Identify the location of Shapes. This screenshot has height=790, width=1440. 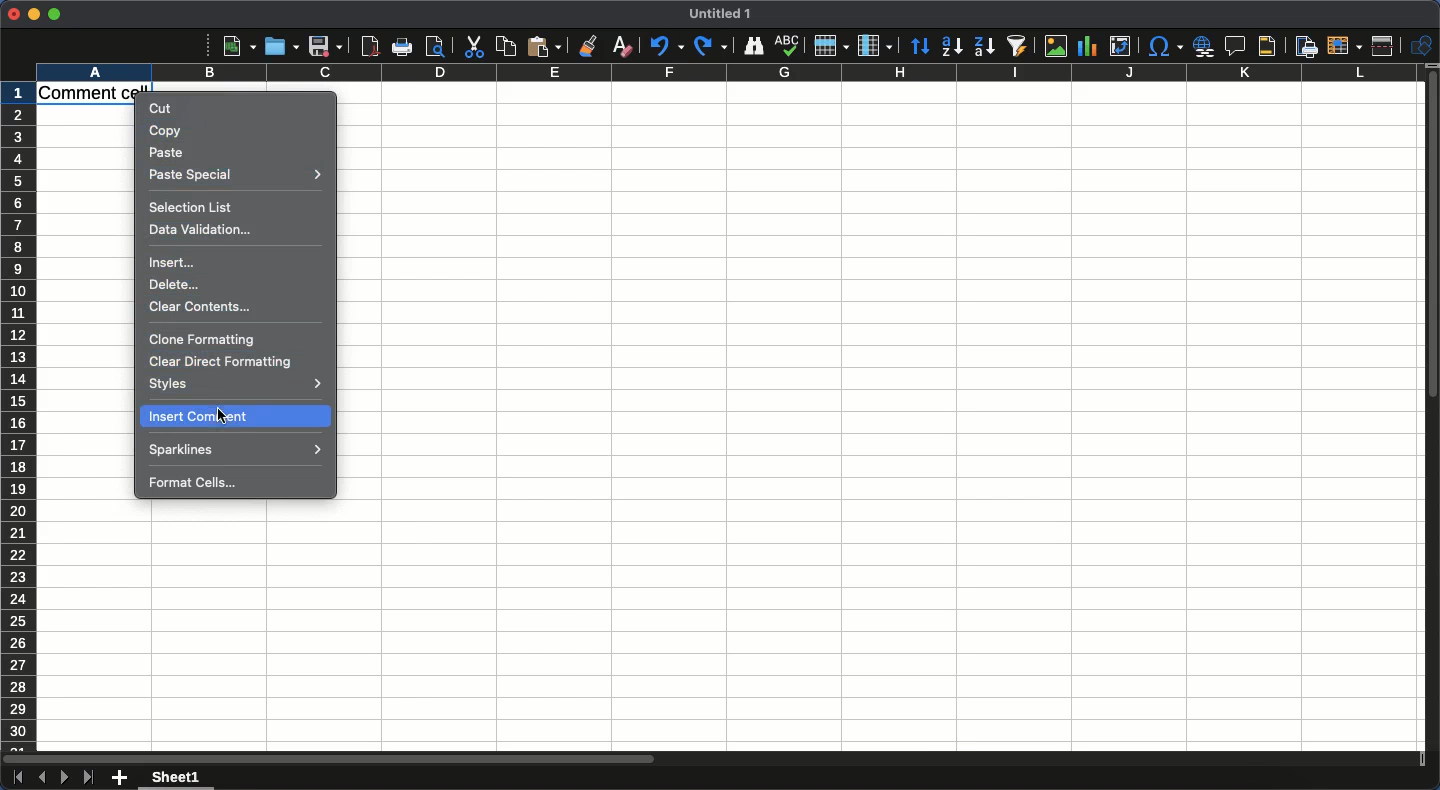
(1424, 45).